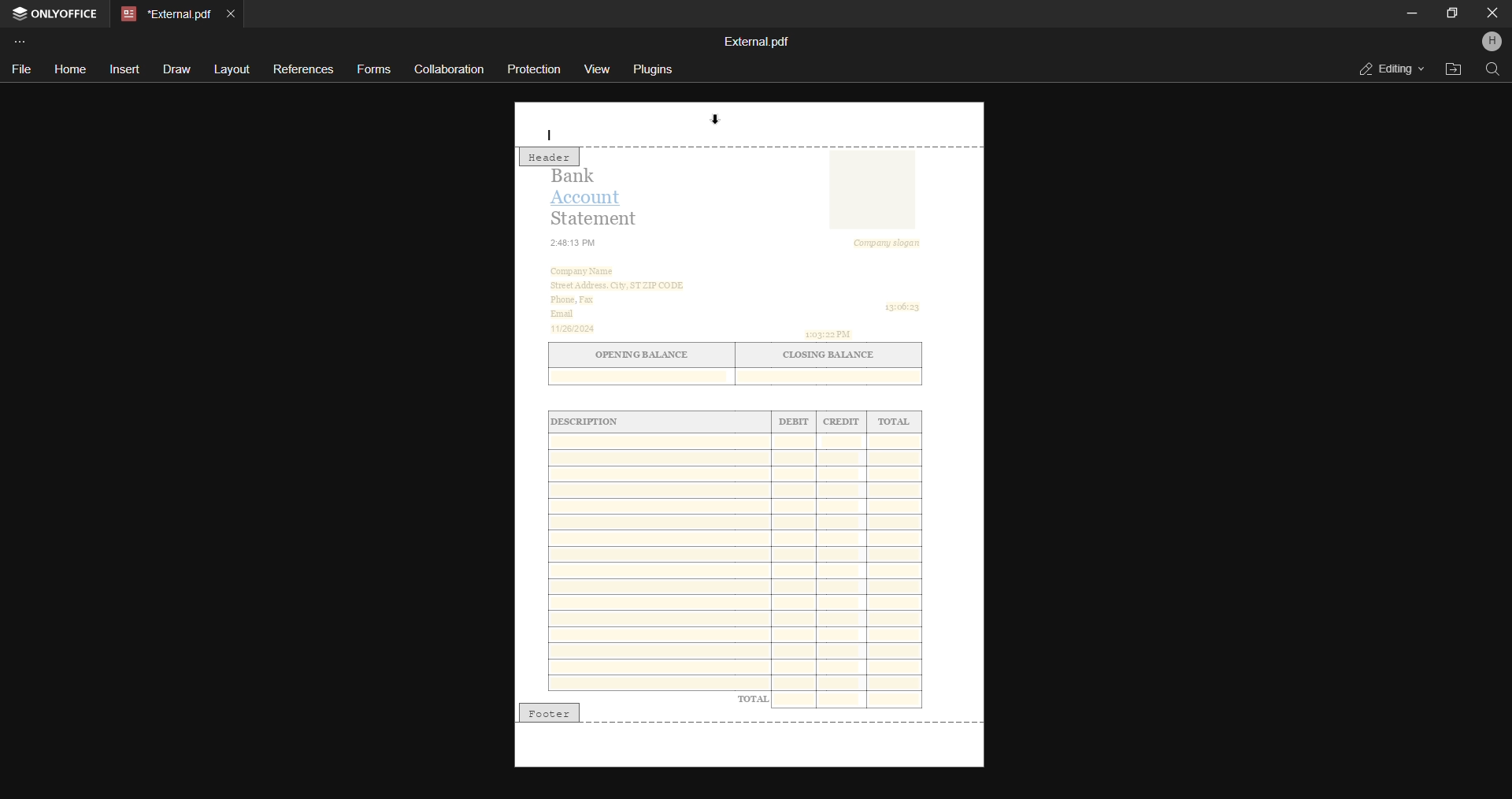  I want to click on customize toolbar, so click(22, 41).